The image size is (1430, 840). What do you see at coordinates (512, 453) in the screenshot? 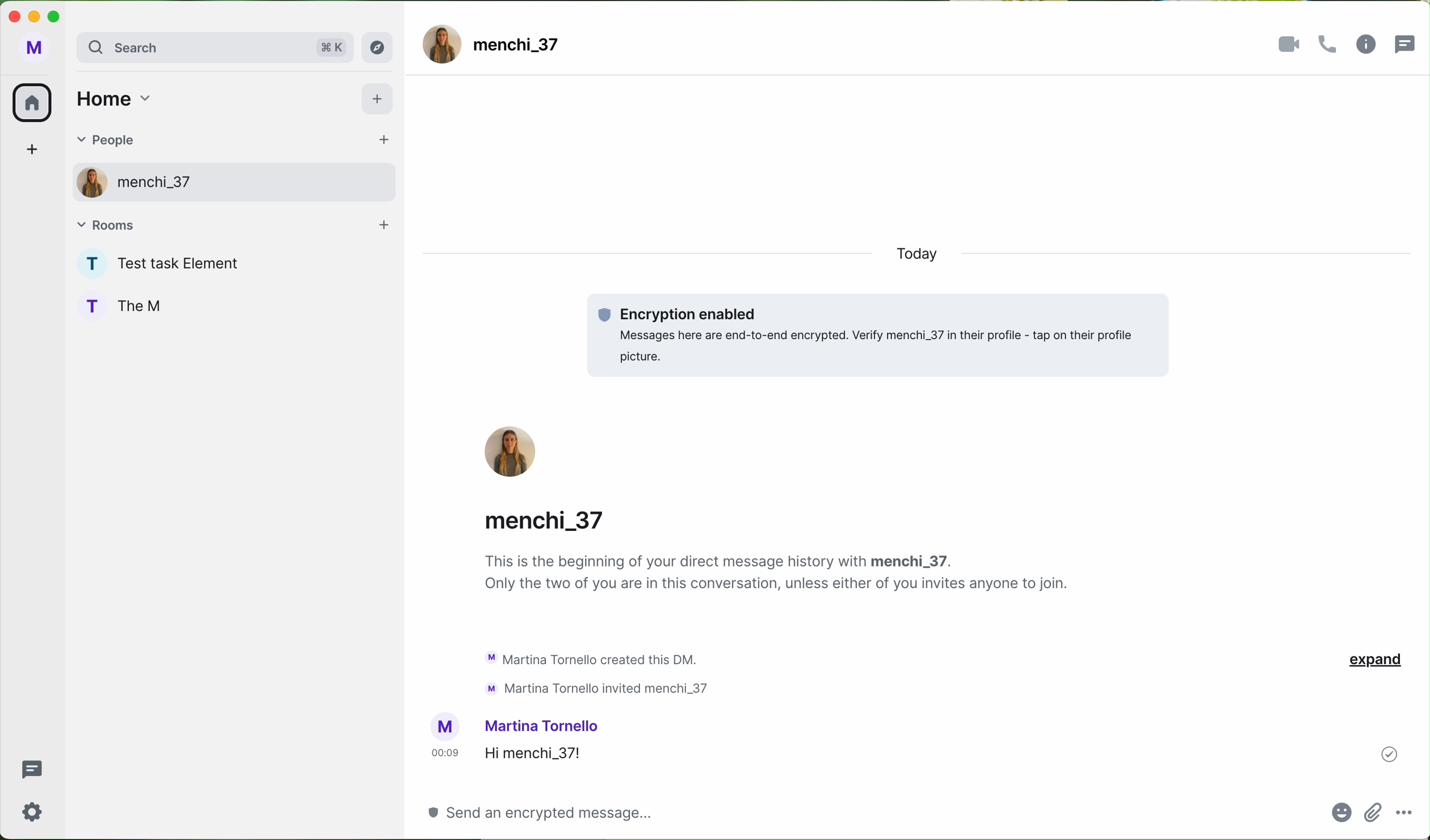
I see `profile picture` at bounding box center [512, 453].